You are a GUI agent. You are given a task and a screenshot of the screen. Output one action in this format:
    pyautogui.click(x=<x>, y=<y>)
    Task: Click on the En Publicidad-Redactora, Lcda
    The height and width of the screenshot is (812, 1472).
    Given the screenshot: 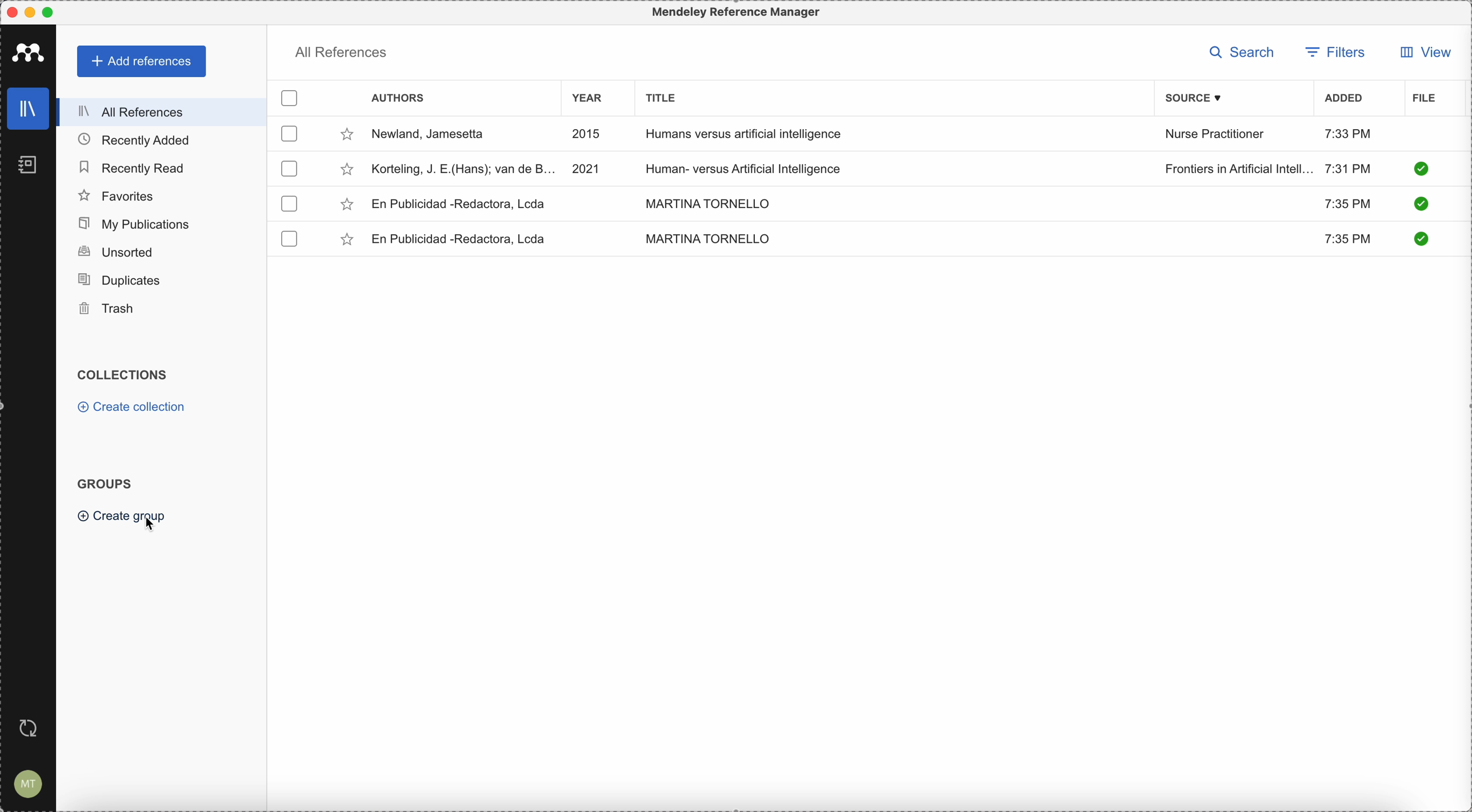 What is the action you would take?
    pyautogui.click(x=459, y=204)
    